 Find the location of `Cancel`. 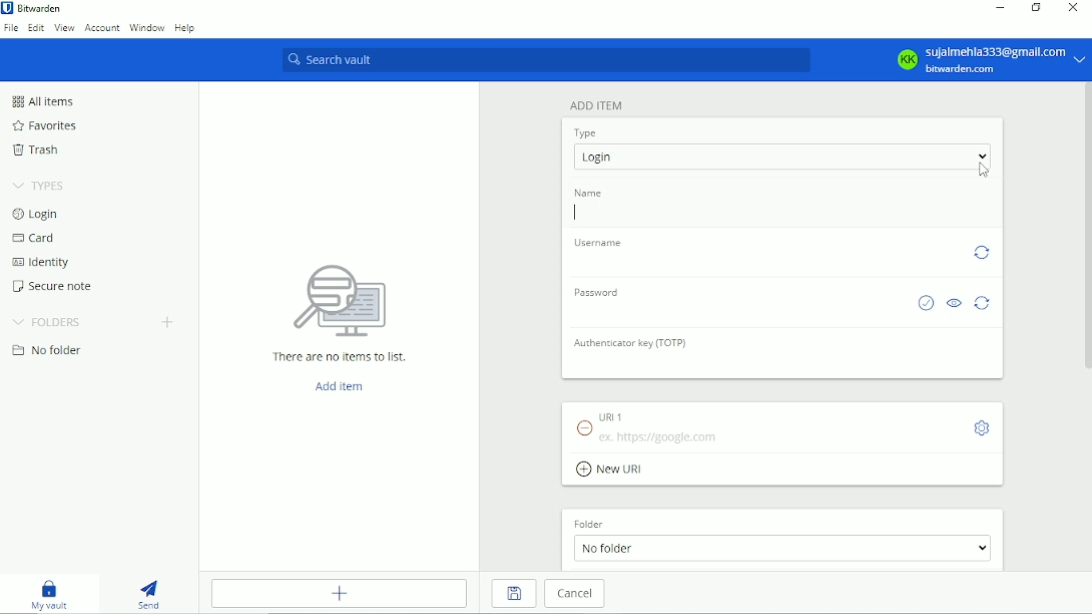

Cancel is located at coordinates (578, 594).